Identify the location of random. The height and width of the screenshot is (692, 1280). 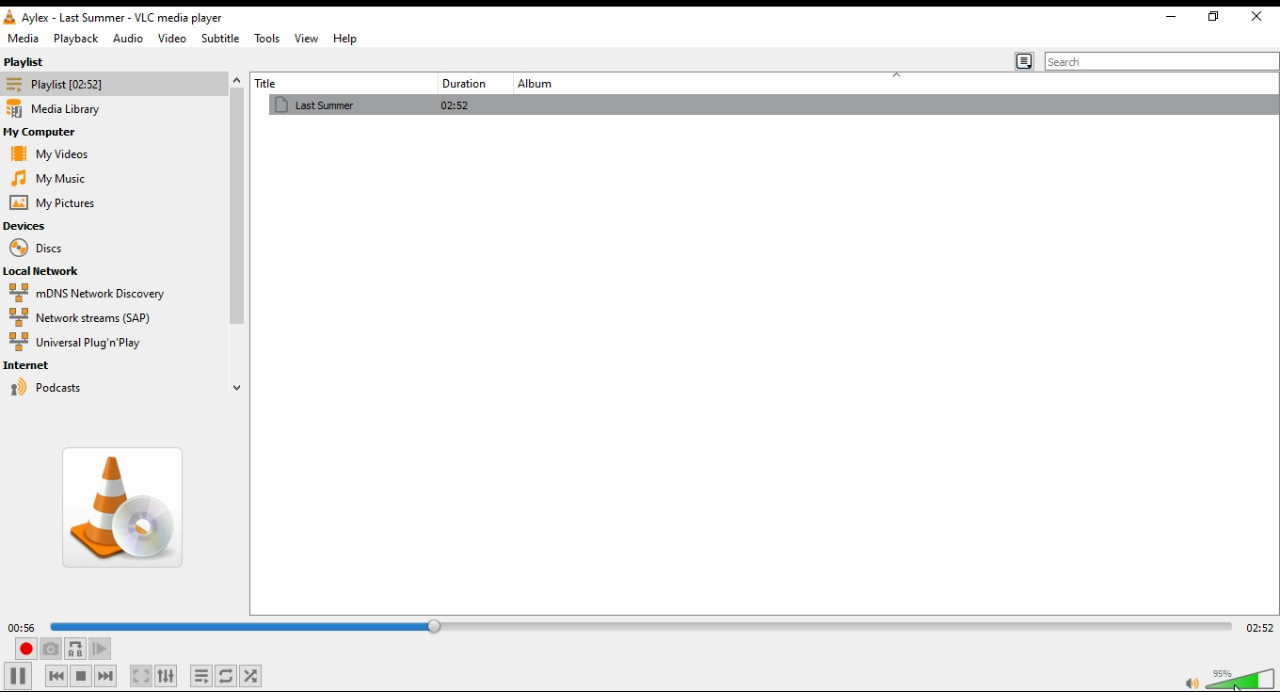
(255, 676).